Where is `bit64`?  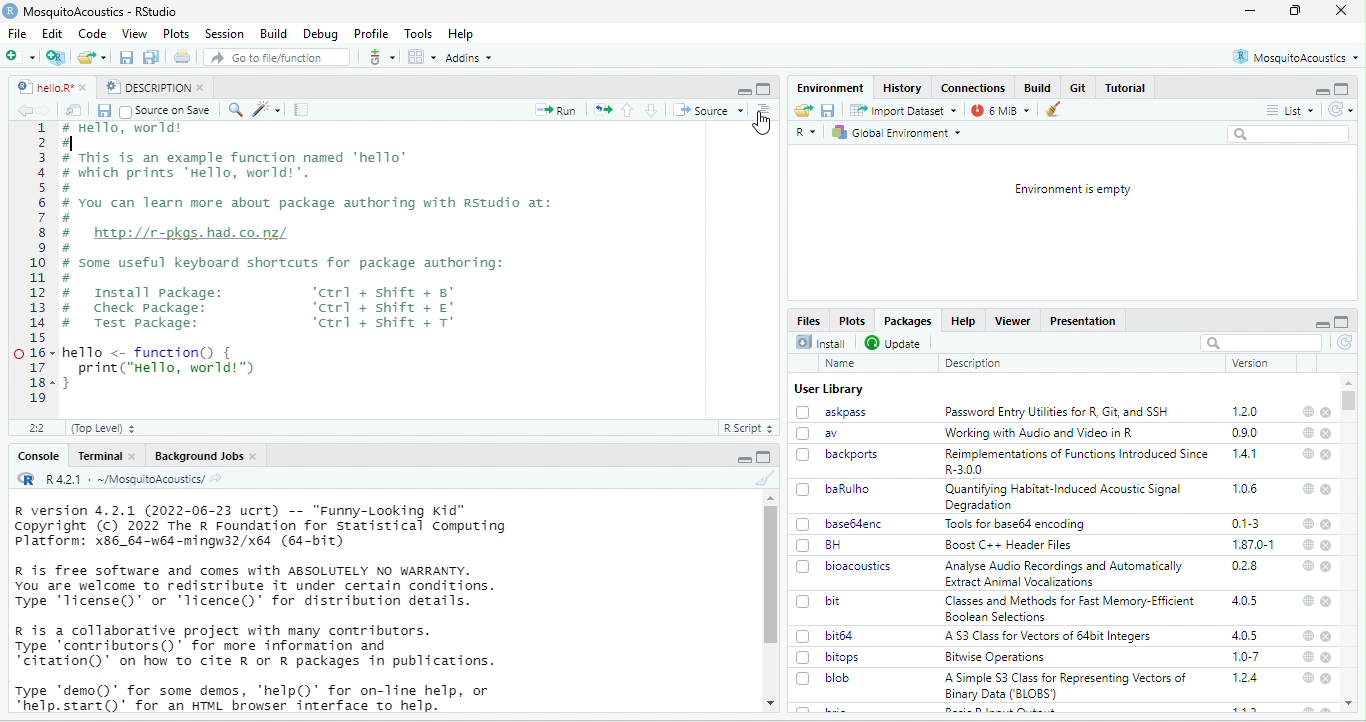 bit64 is located at coordinates (827, 635).